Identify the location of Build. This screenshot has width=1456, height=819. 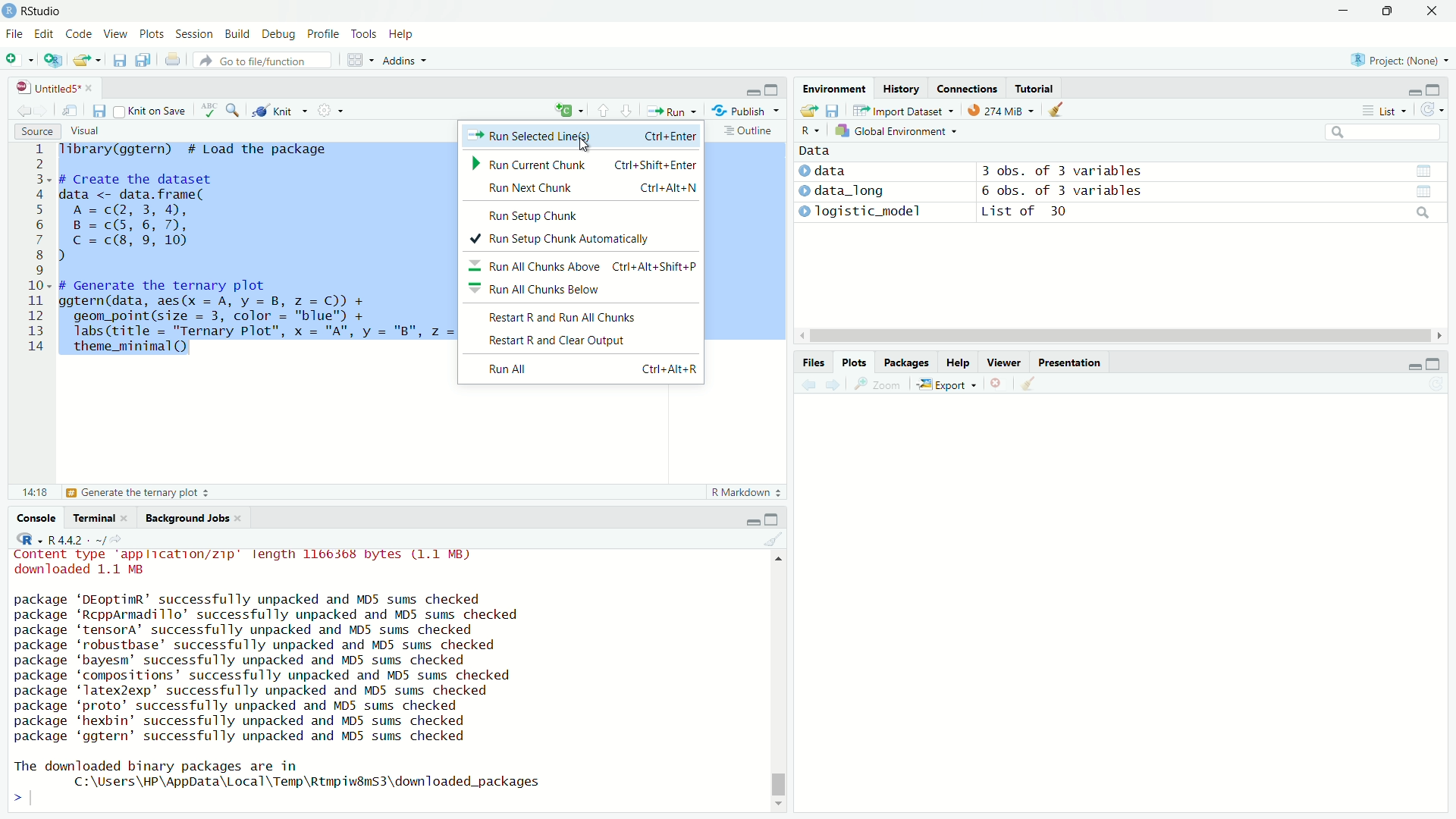
(234, 33).